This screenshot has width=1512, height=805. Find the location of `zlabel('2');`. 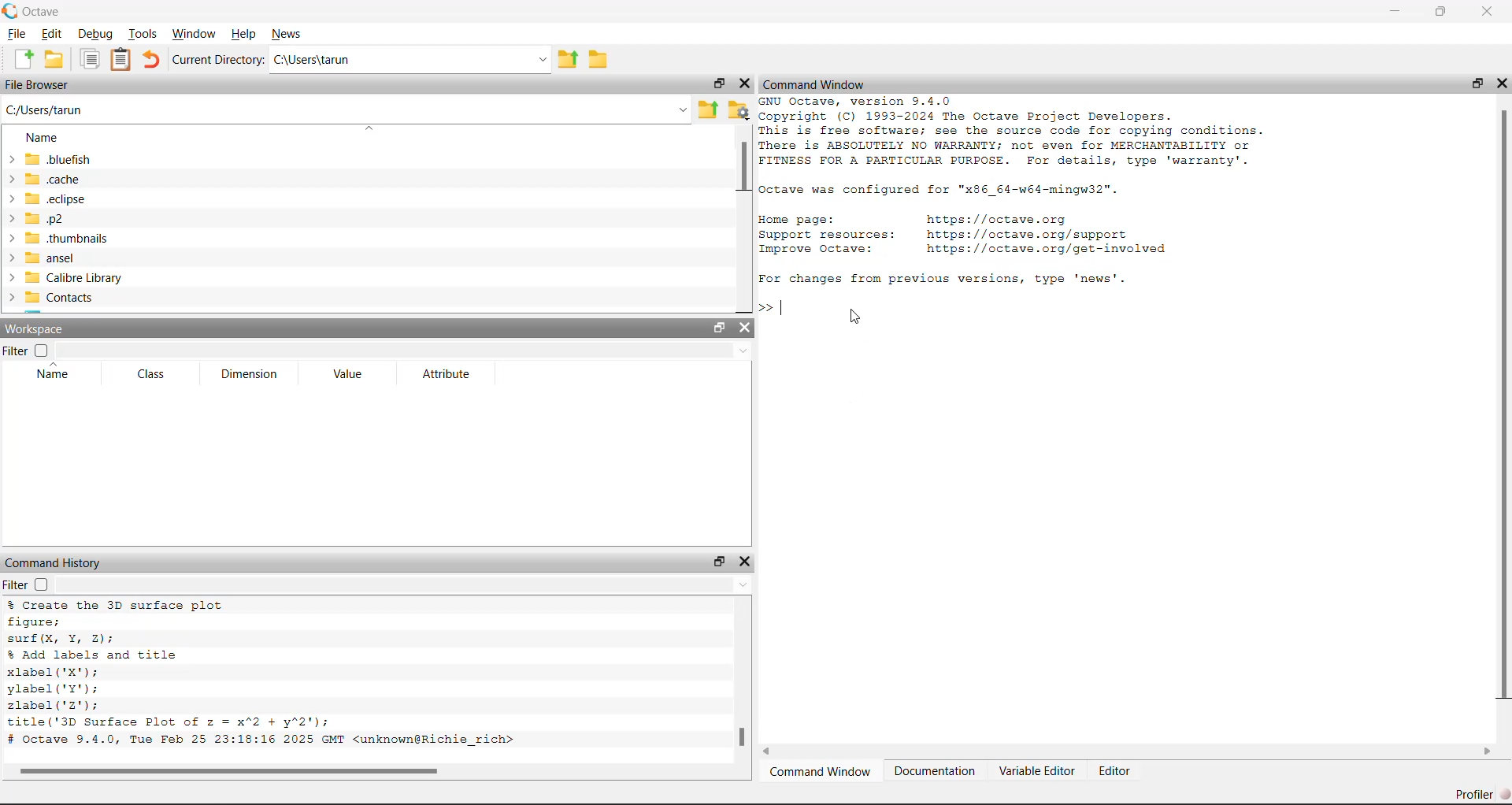

zlabel('2'); is located at coordinates (57, 705).